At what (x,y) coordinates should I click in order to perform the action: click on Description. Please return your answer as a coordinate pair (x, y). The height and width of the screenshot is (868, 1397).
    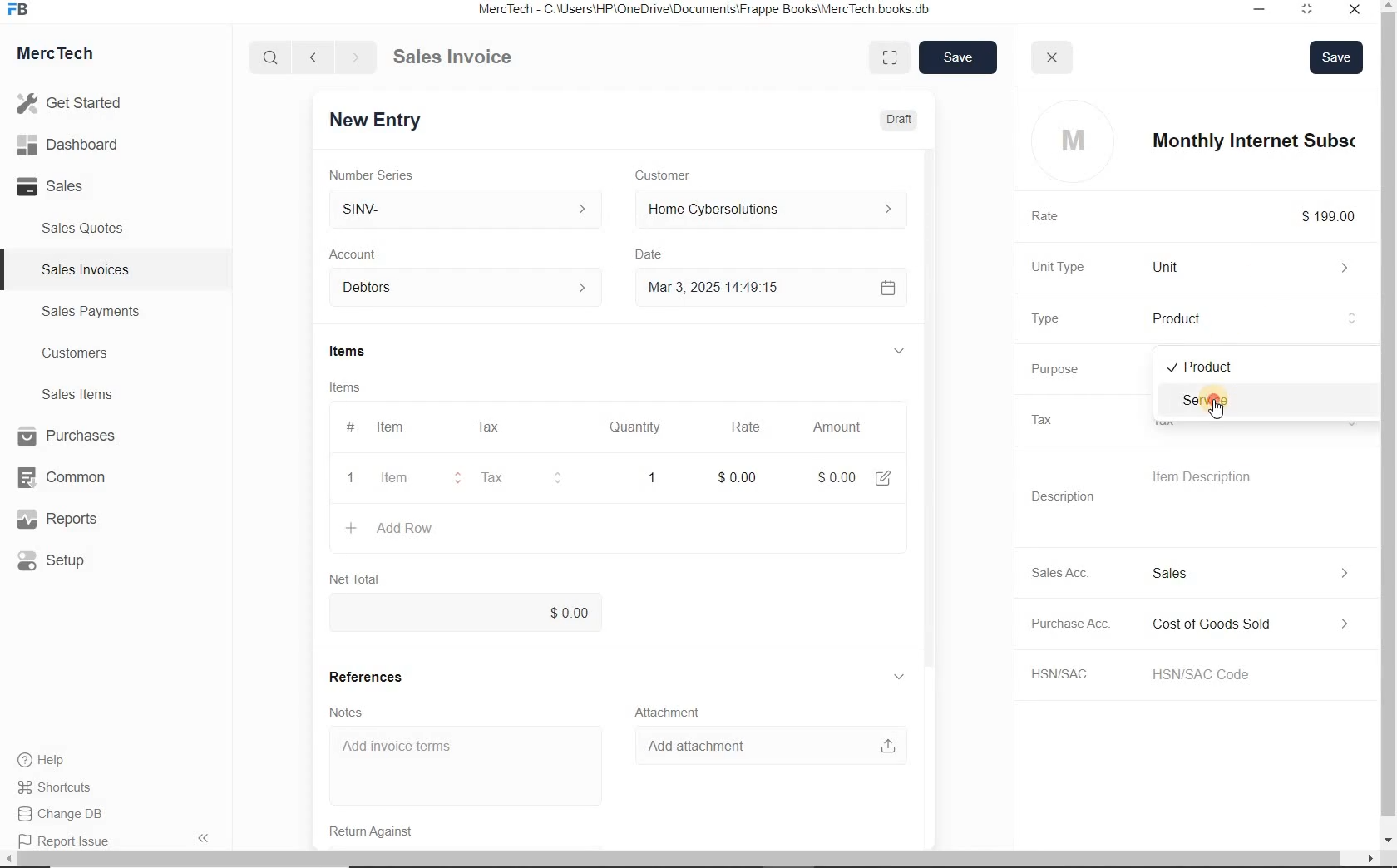
    Looking at the image, I should click on (1073, 496).